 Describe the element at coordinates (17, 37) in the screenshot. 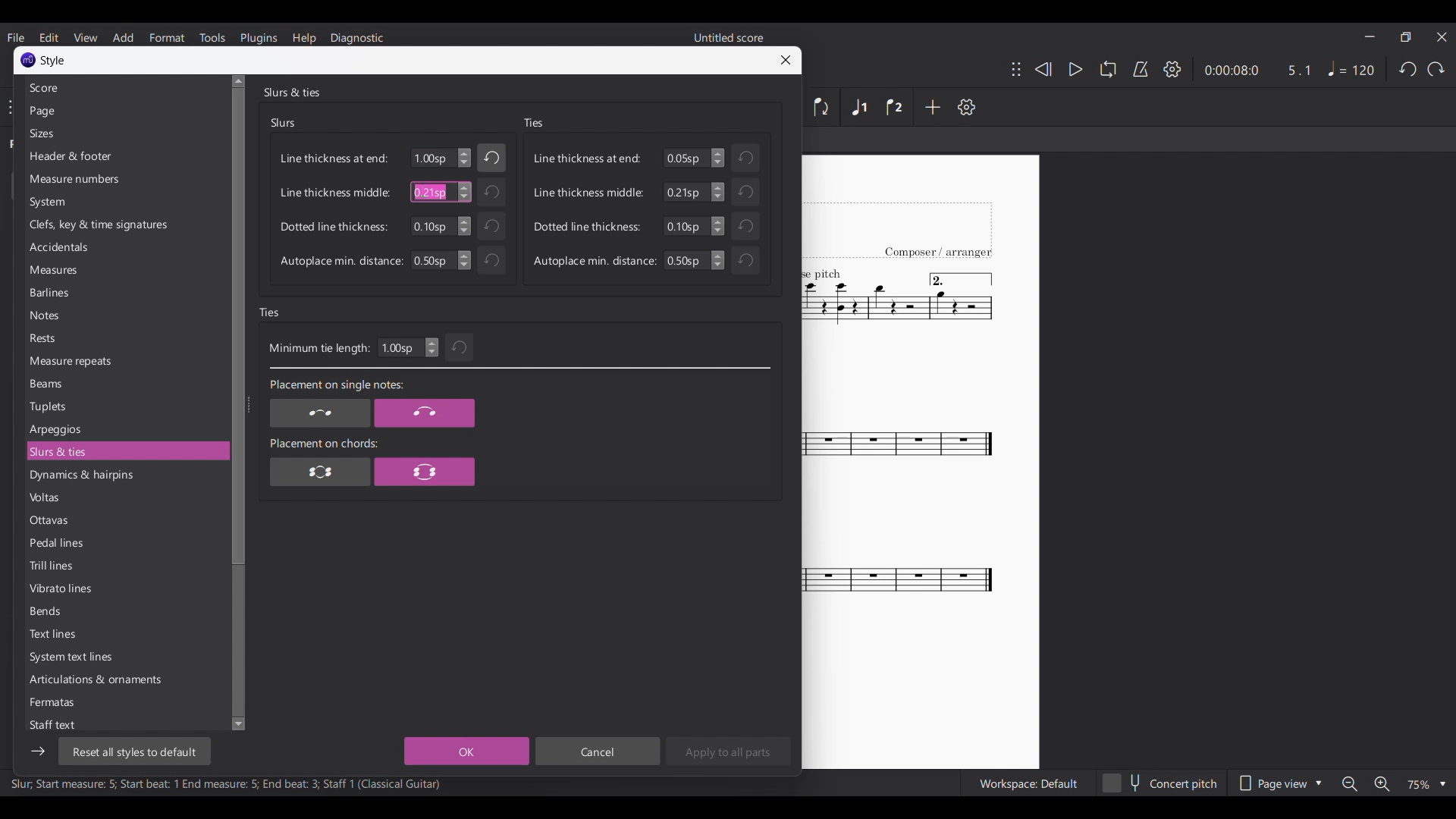

I see `File menu` at that location.